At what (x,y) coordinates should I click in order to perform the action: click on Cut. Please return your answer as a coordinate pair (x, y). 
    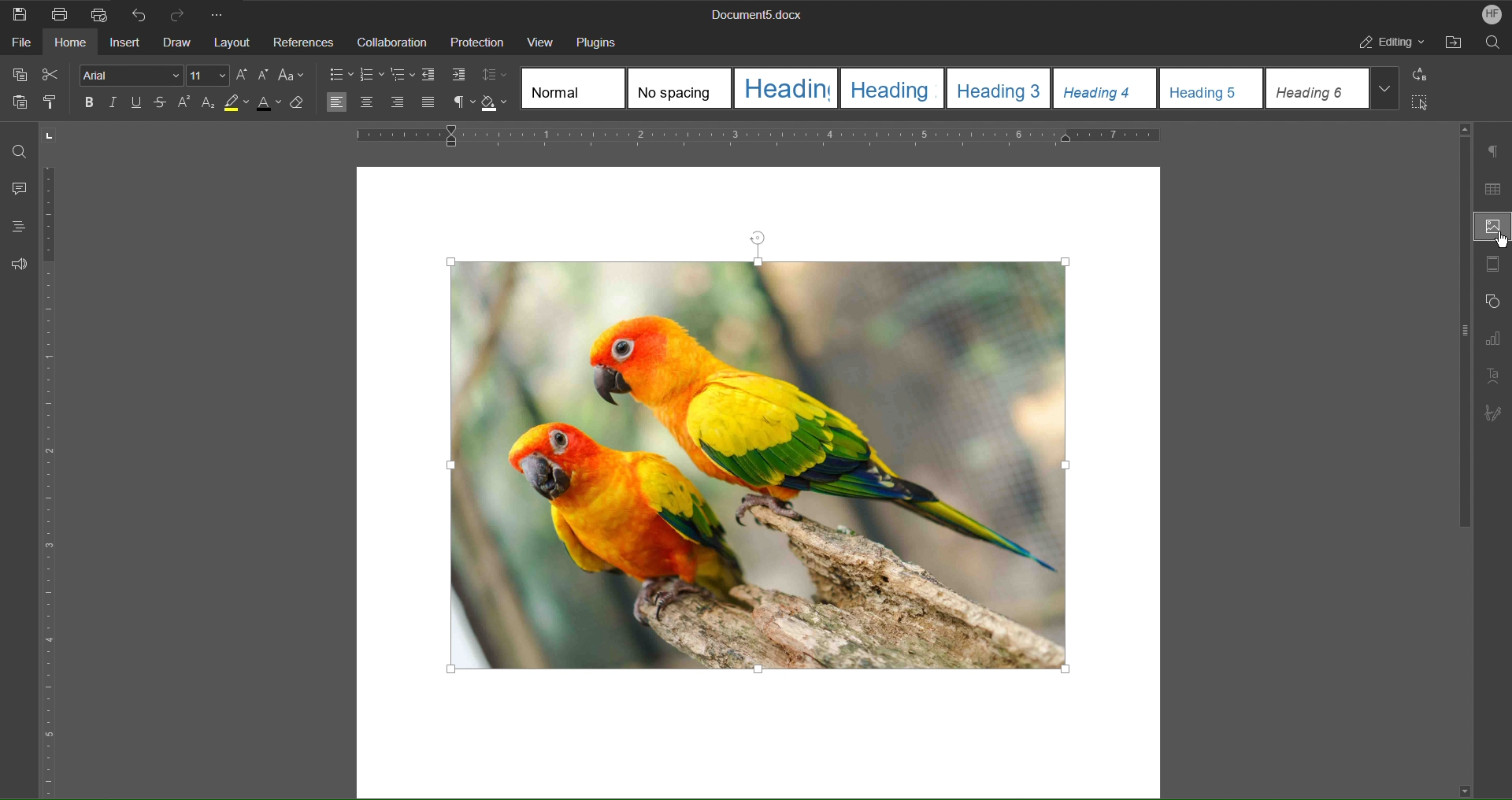
    Looking at the image, I should click on (54, 75).